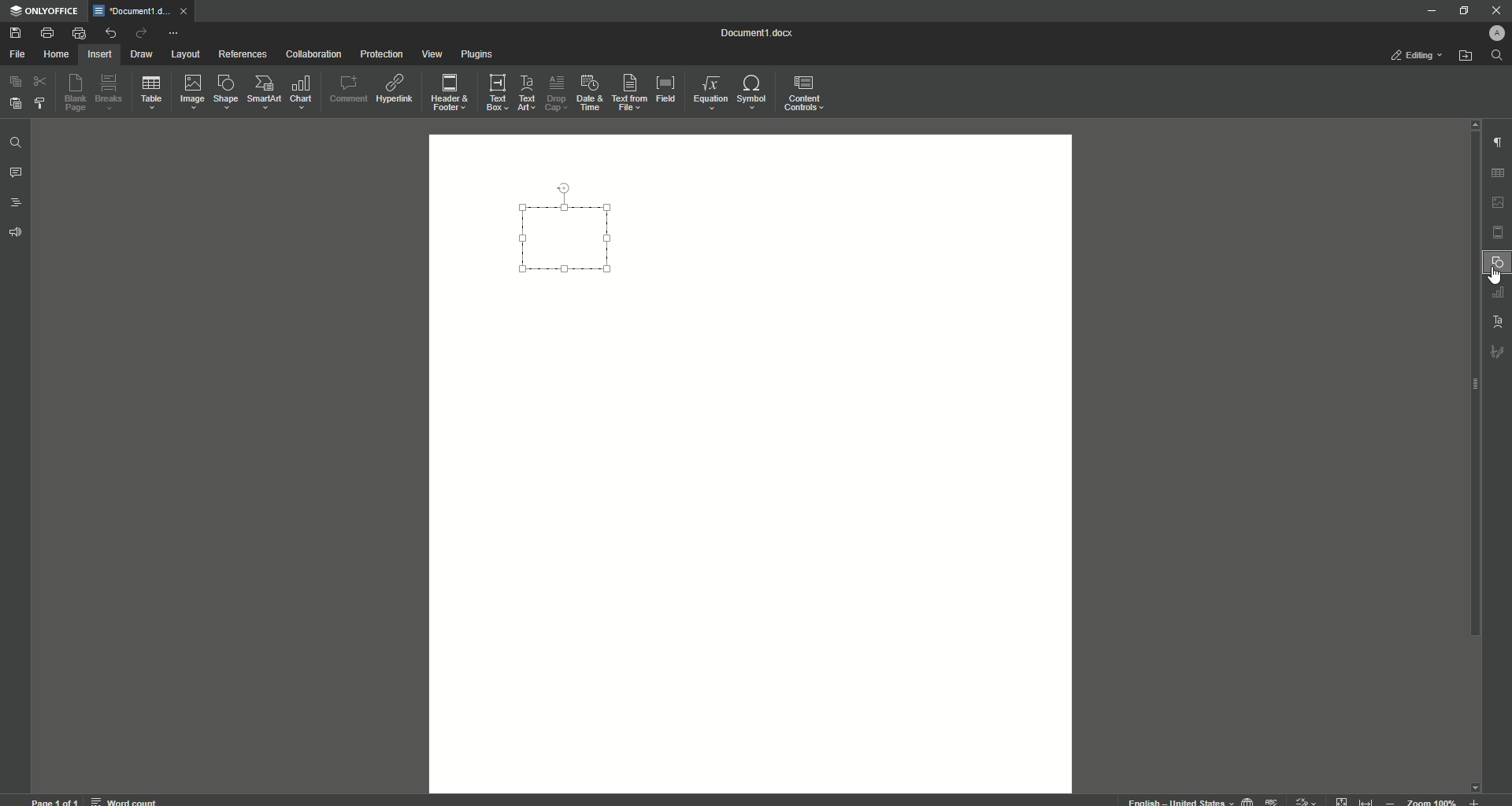  I want to click on Content Controls, so click(806, 95).